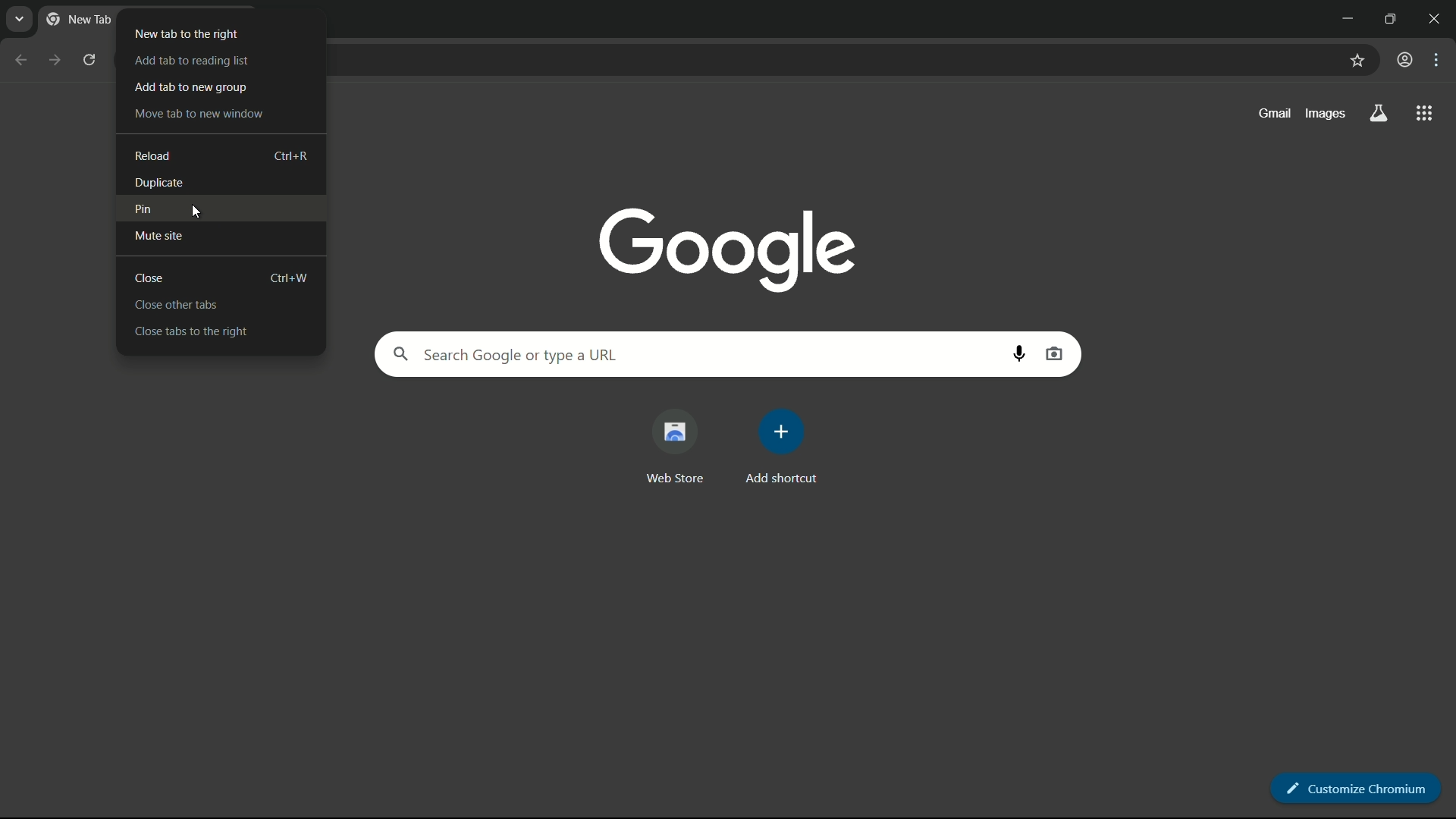 This screenshot has height=819, width=1456. I want to click on close other tabs, so click(177, 306).